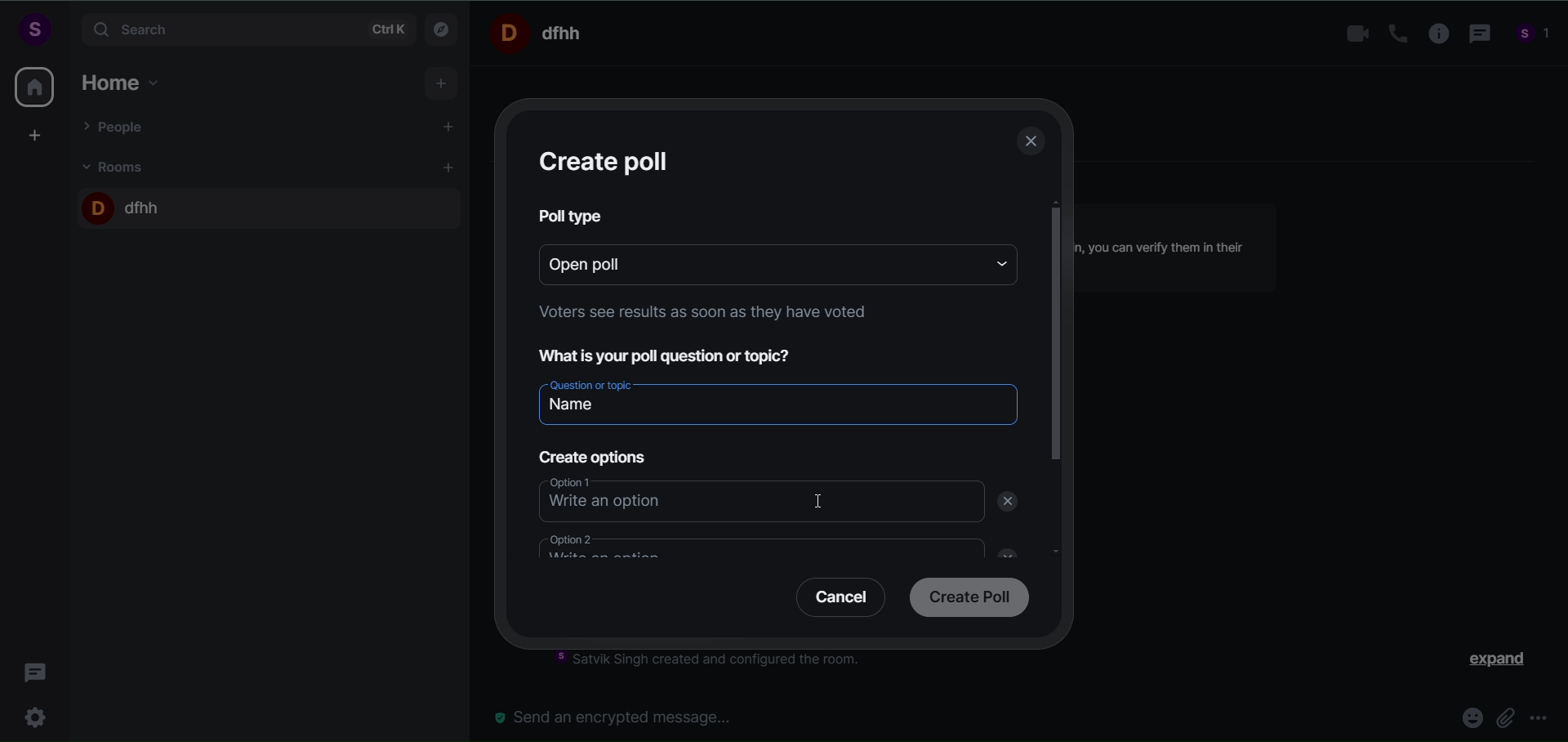  I want to click on rooms, so click(118, 166).